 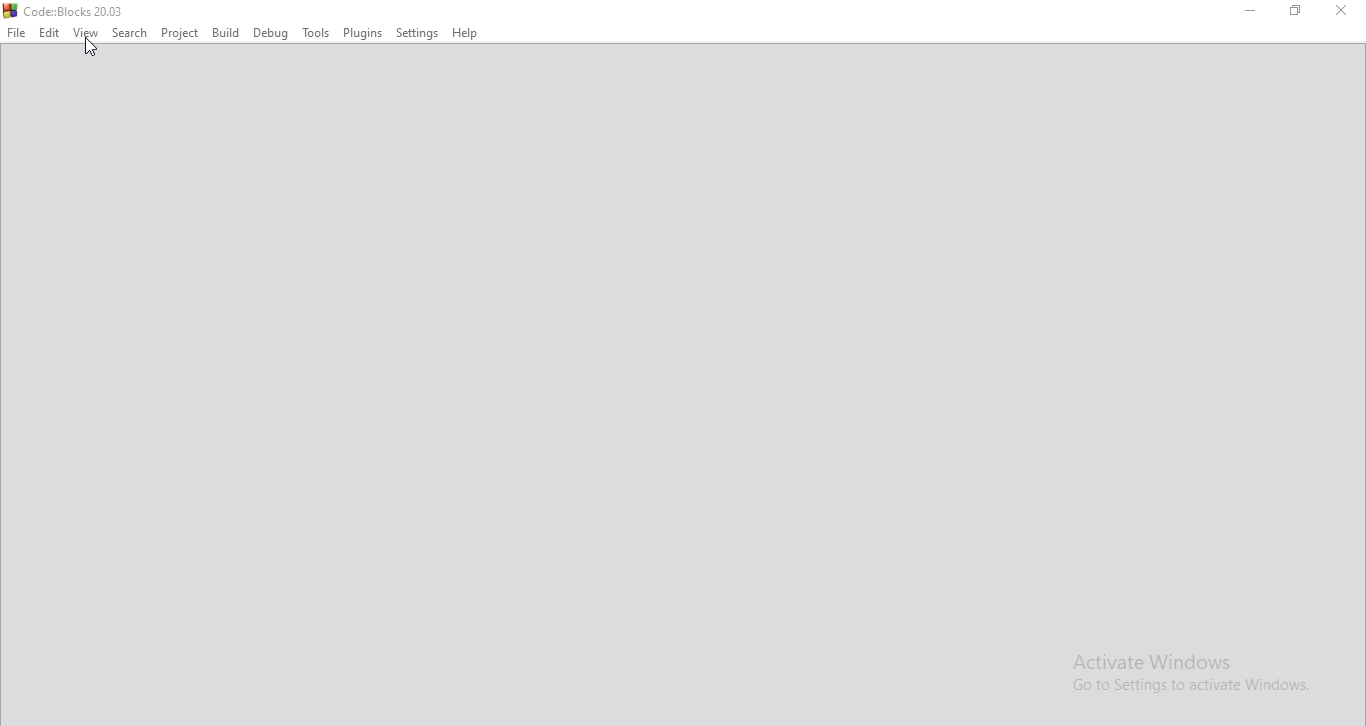 I want to click on Project , so click(x=181, y=33).